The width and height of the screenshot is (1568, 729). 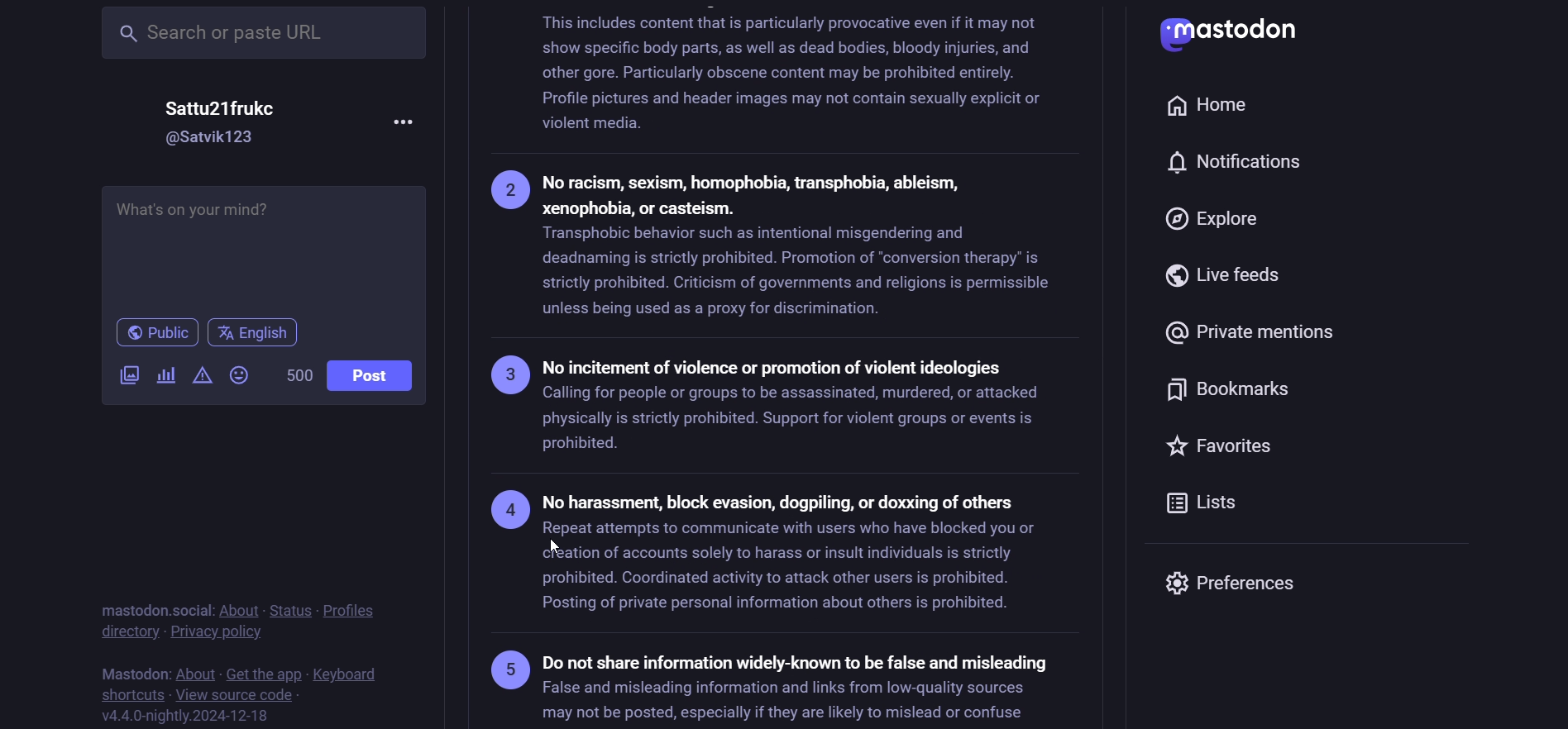 I want to click on emoji, so click(x=242, y=374).